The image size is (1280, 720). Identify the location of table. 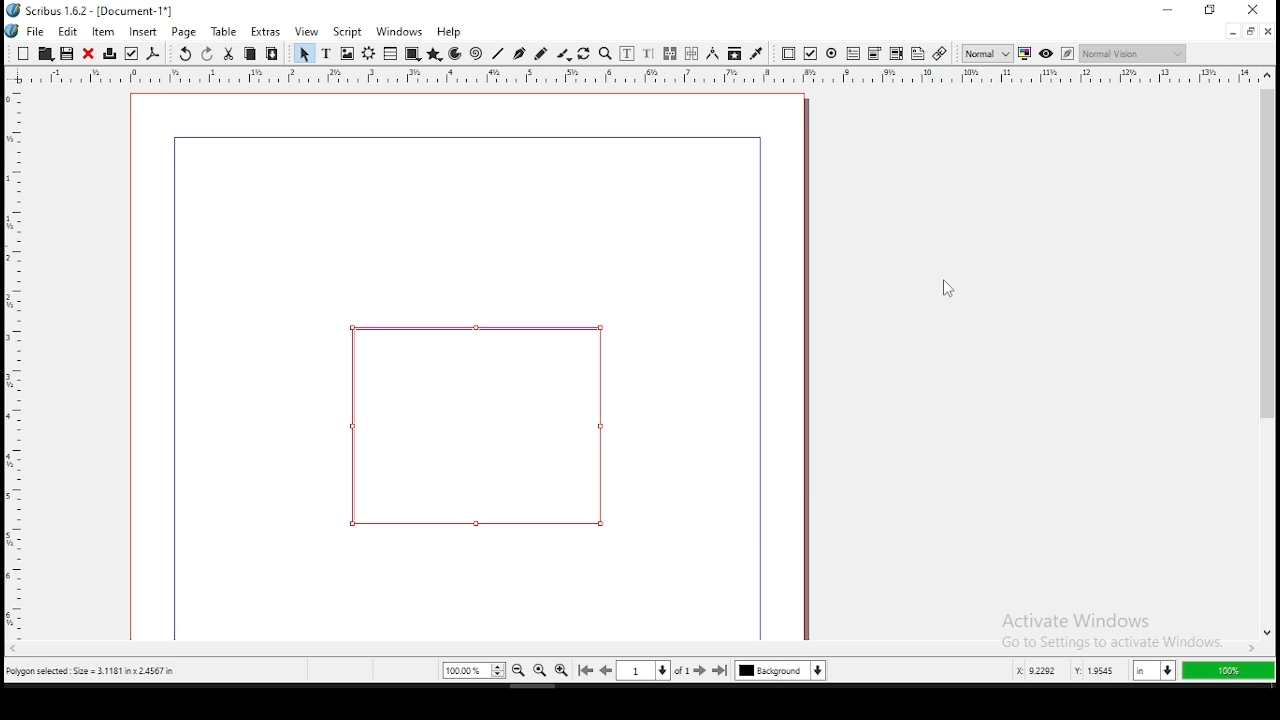
(225, 32).